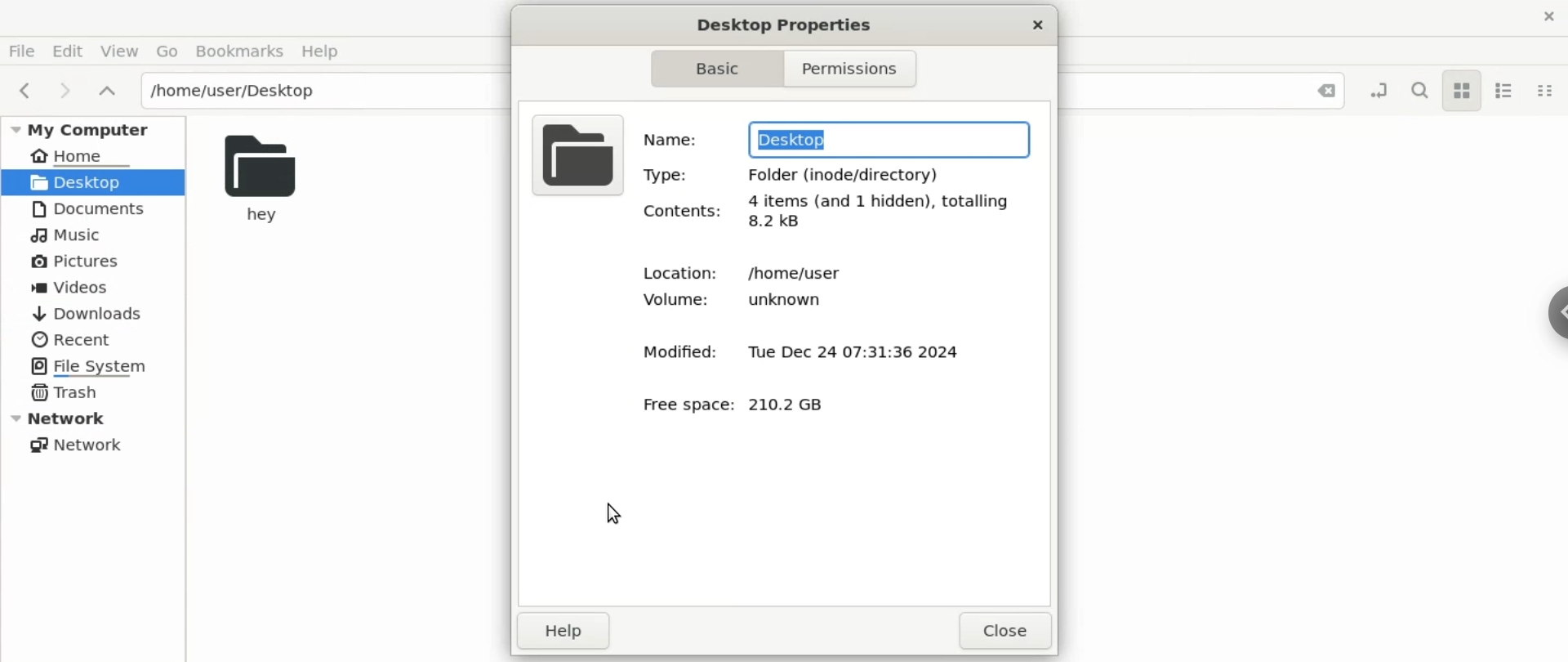  What do you see at coordinates (667, 175) in the screenshot?
I see `type` at bounding box center [667, 175].